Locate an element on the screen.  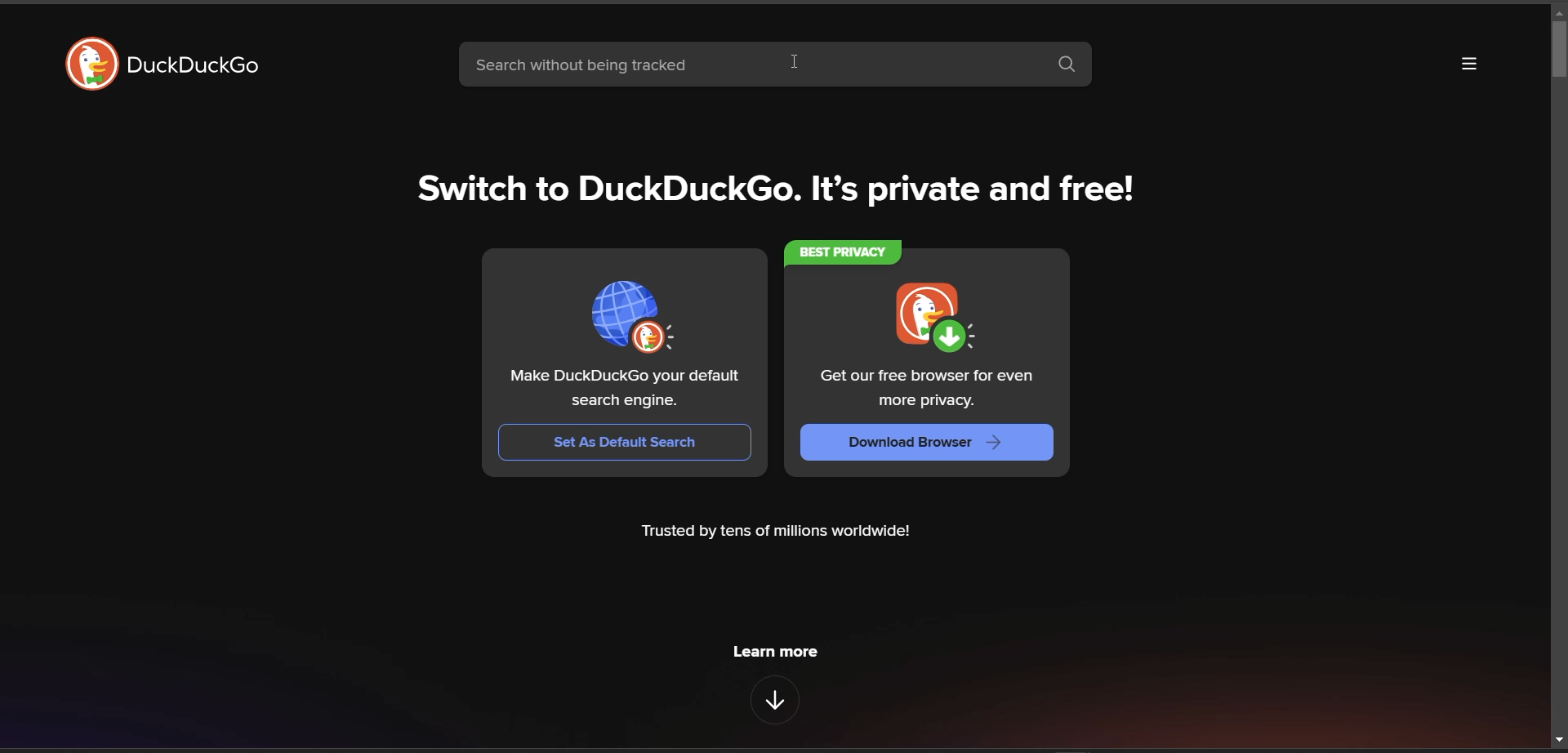
logo and title is located at coordinates (164, 64).